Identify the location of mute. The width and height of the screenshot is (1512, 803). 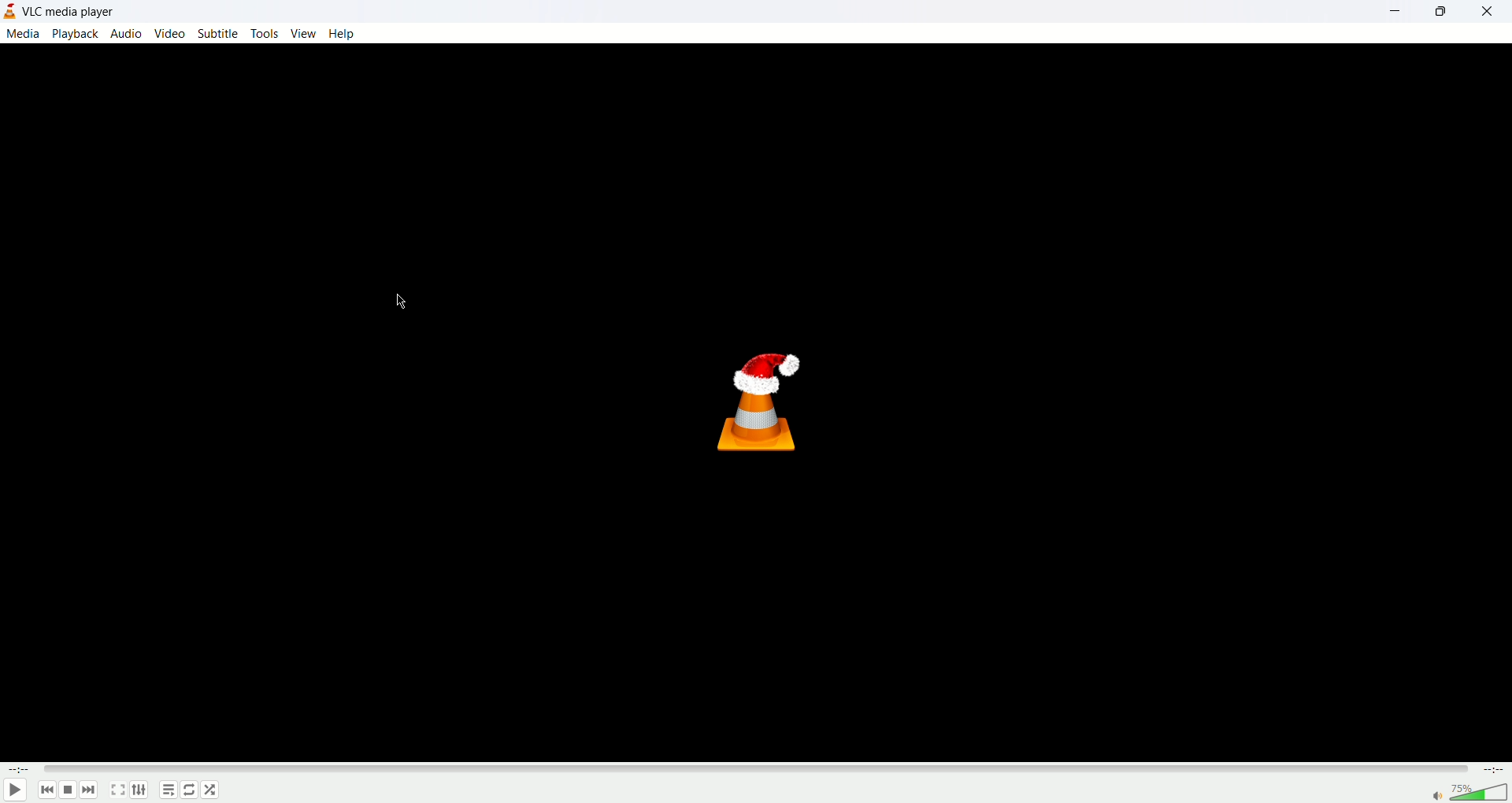
(1439, 797).